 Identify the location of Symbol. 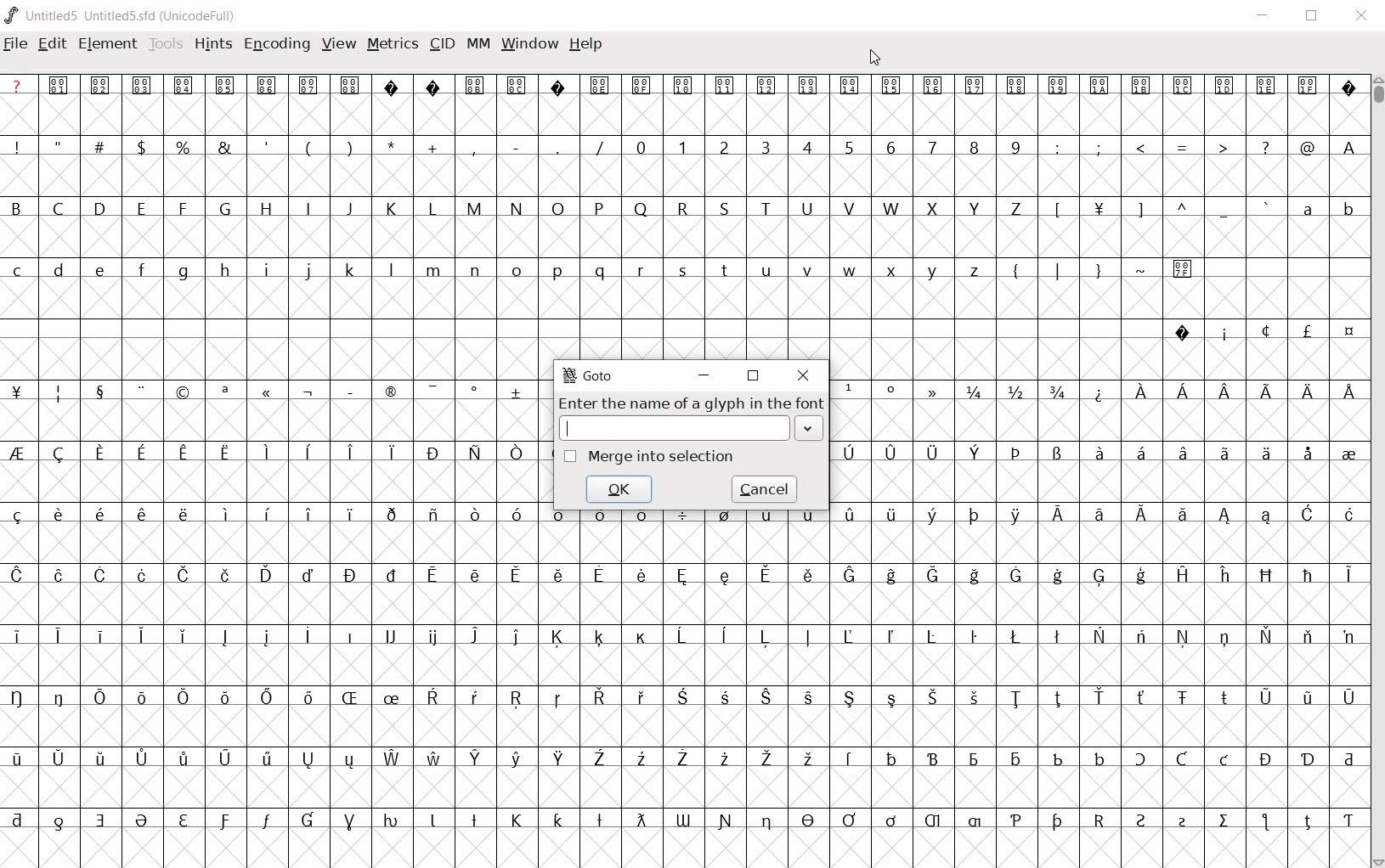
(432, 516).